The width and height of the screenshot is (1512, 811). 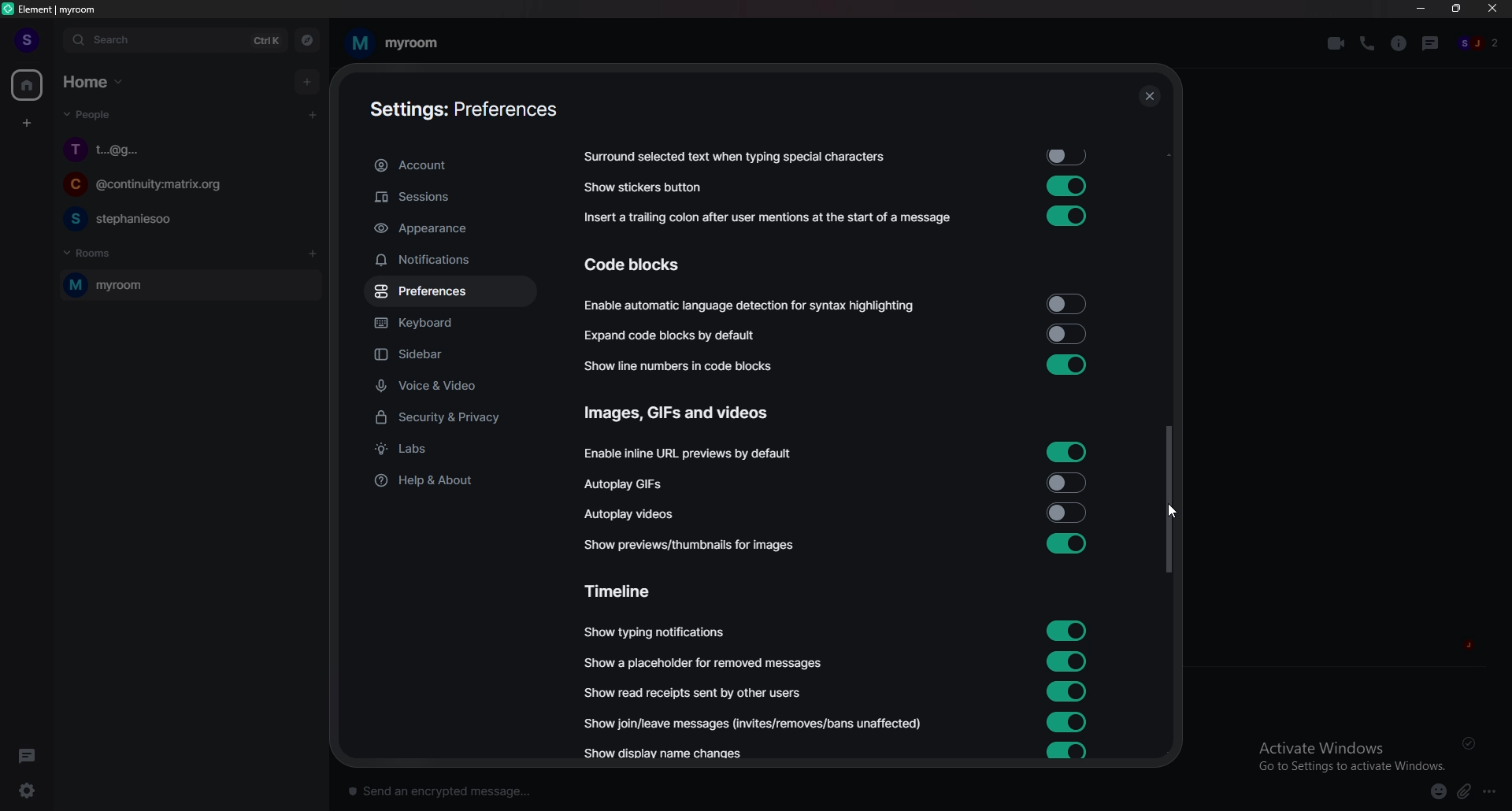 I want to click on toggle, so click(x=1065, y=305).